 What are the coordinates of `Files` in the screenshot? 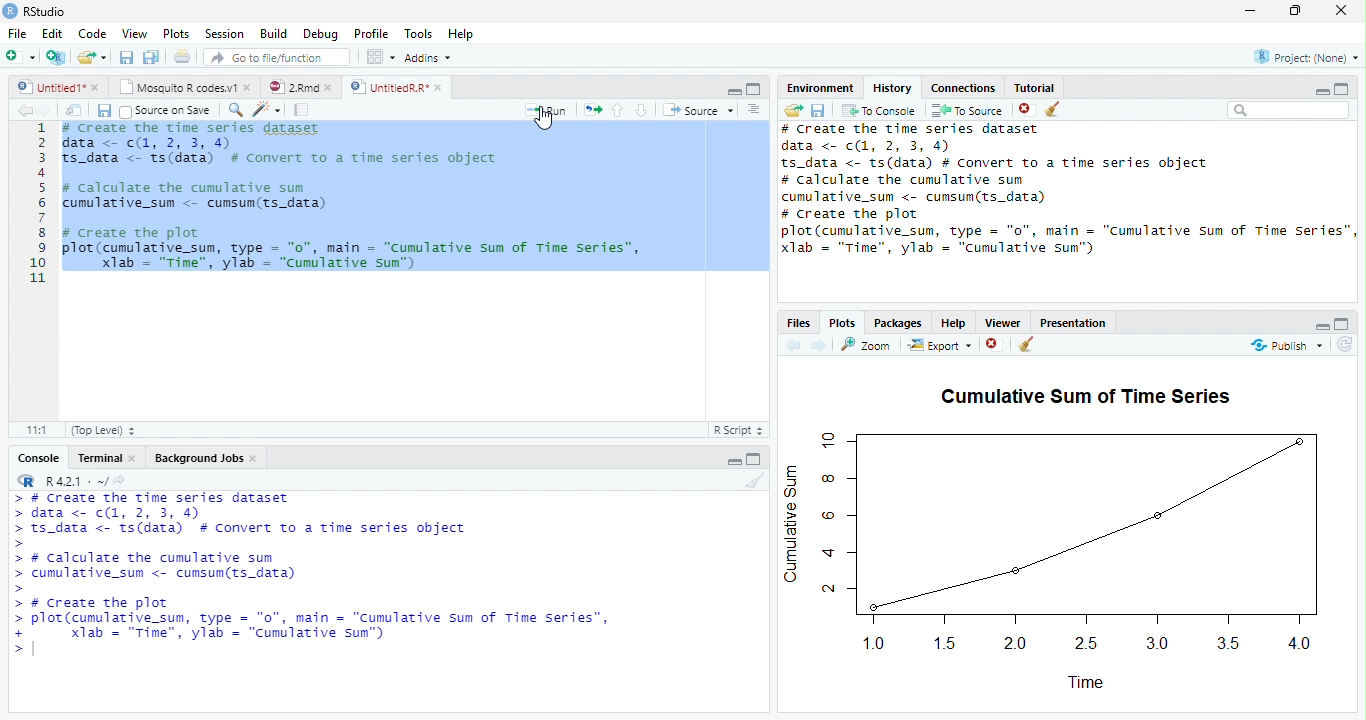 It's located at (802, 323).